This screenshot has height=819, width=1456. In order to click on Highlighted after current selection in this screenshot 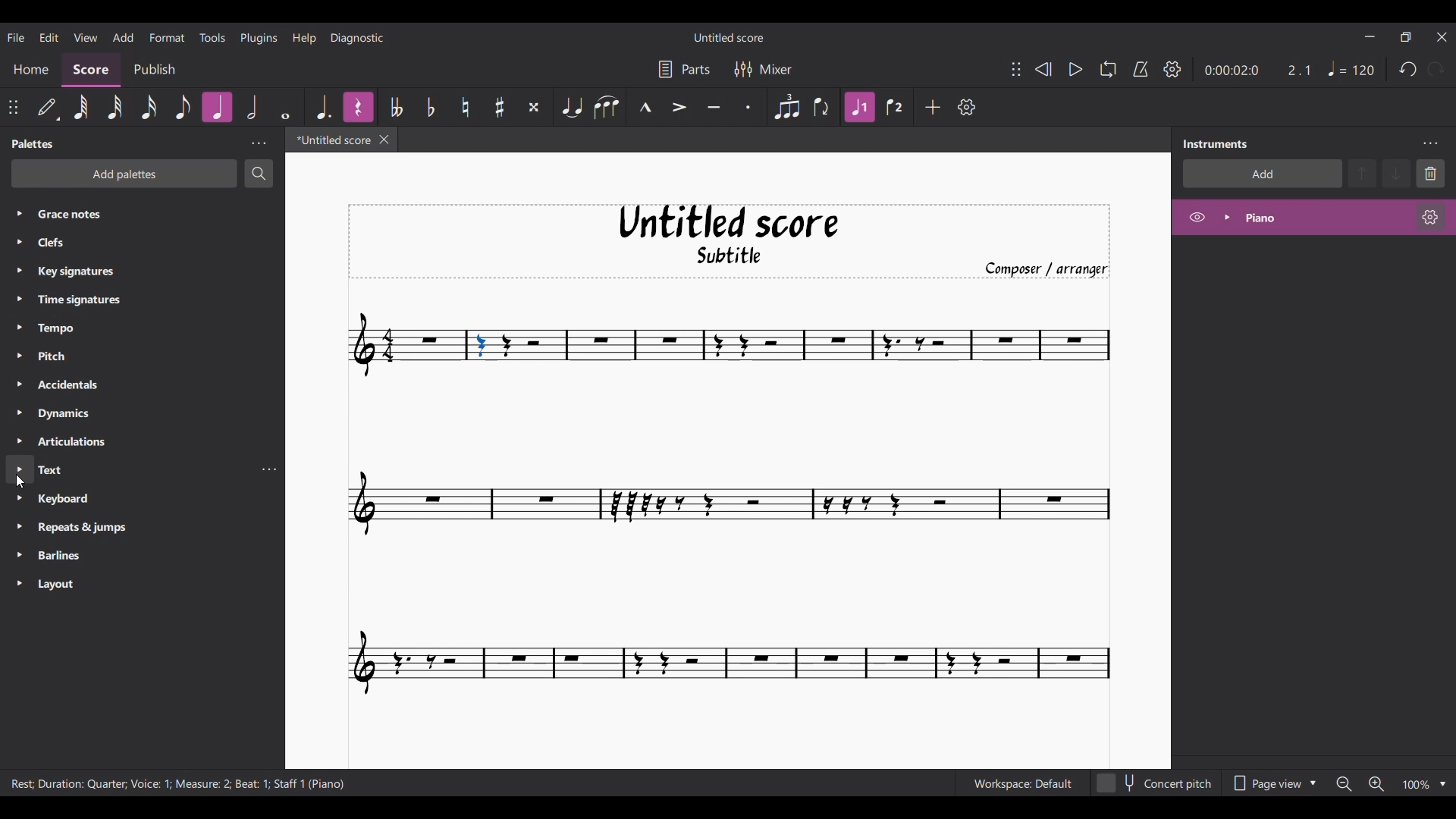, I will do `click(356, 106)`.